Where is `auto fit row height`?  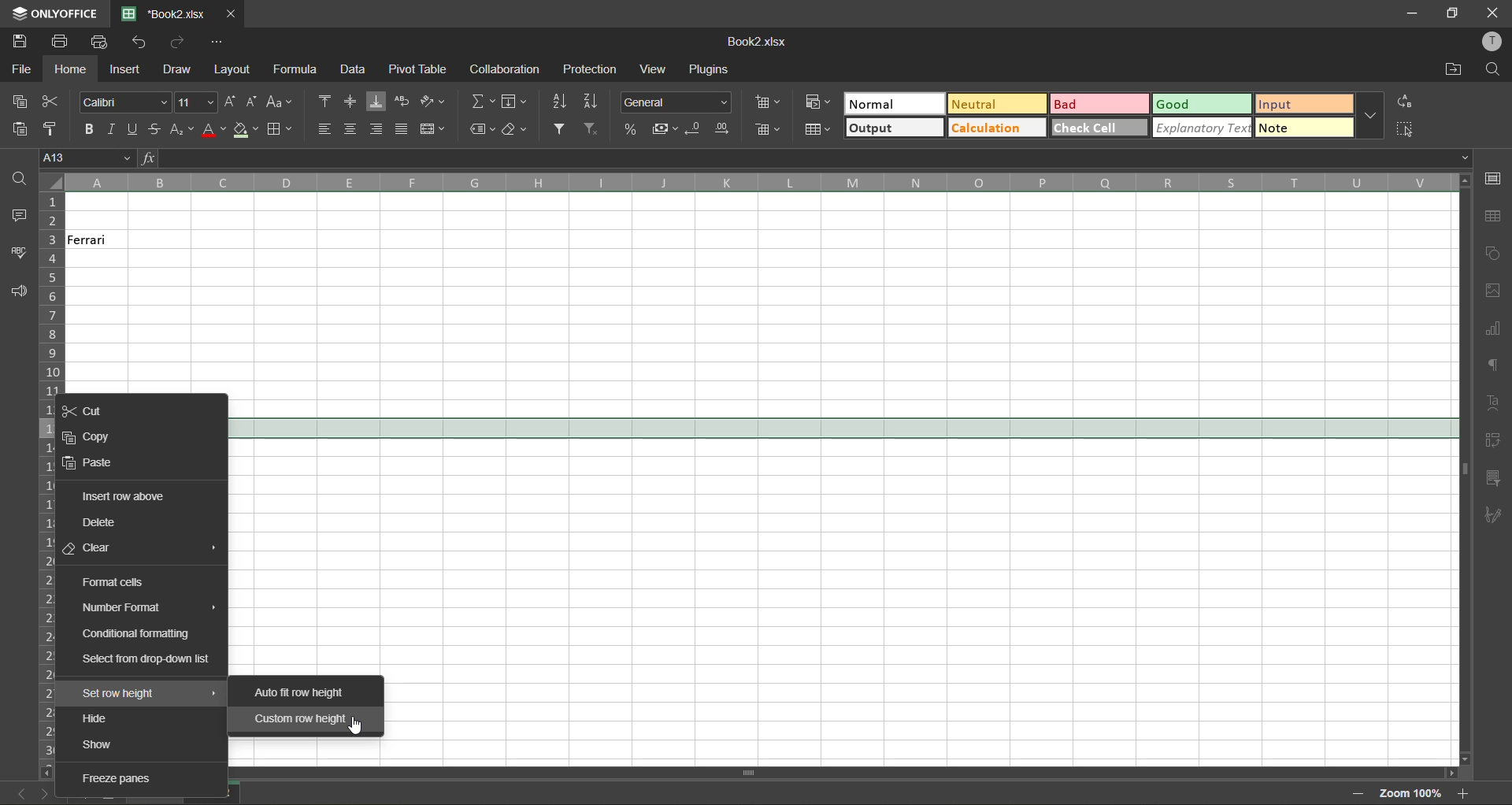
auto fit row height is located at coordinates (302, 692).